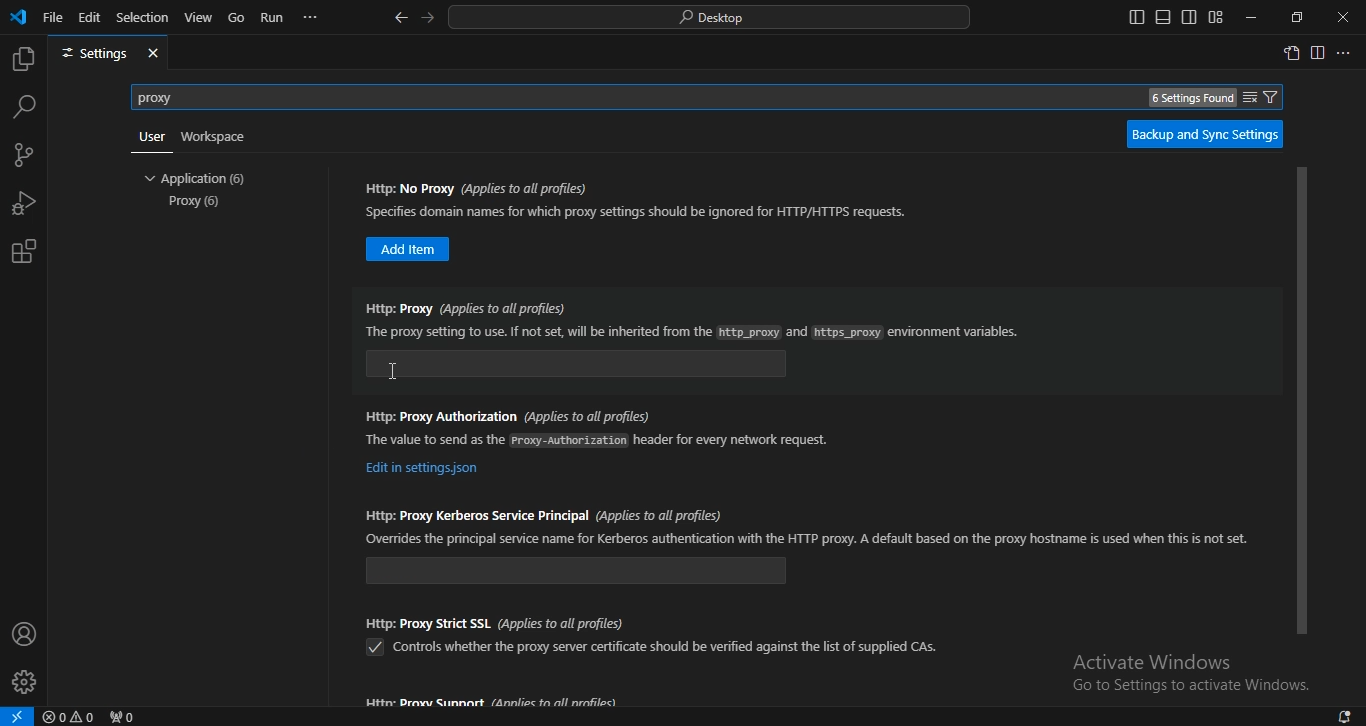 The image size is (1366, 726). What do you see at coordinates (1217, 16) in the screenshot?
I see `customize layout` at bounding box center [1217, 16].